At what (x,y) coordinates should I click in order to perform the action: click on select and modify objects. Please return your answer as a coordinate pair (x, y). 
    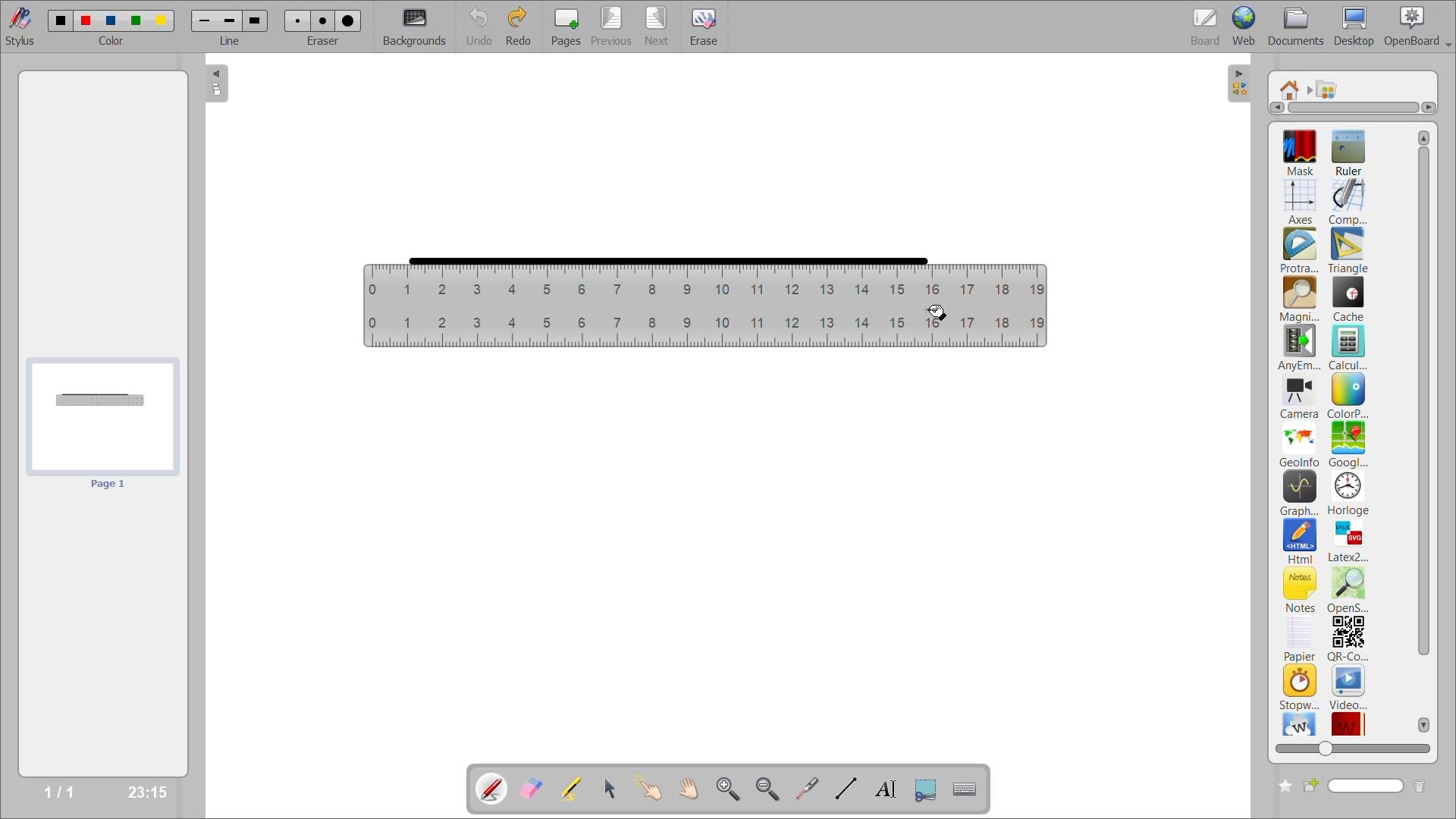
    Looking at the image, I should click on (613, 789).